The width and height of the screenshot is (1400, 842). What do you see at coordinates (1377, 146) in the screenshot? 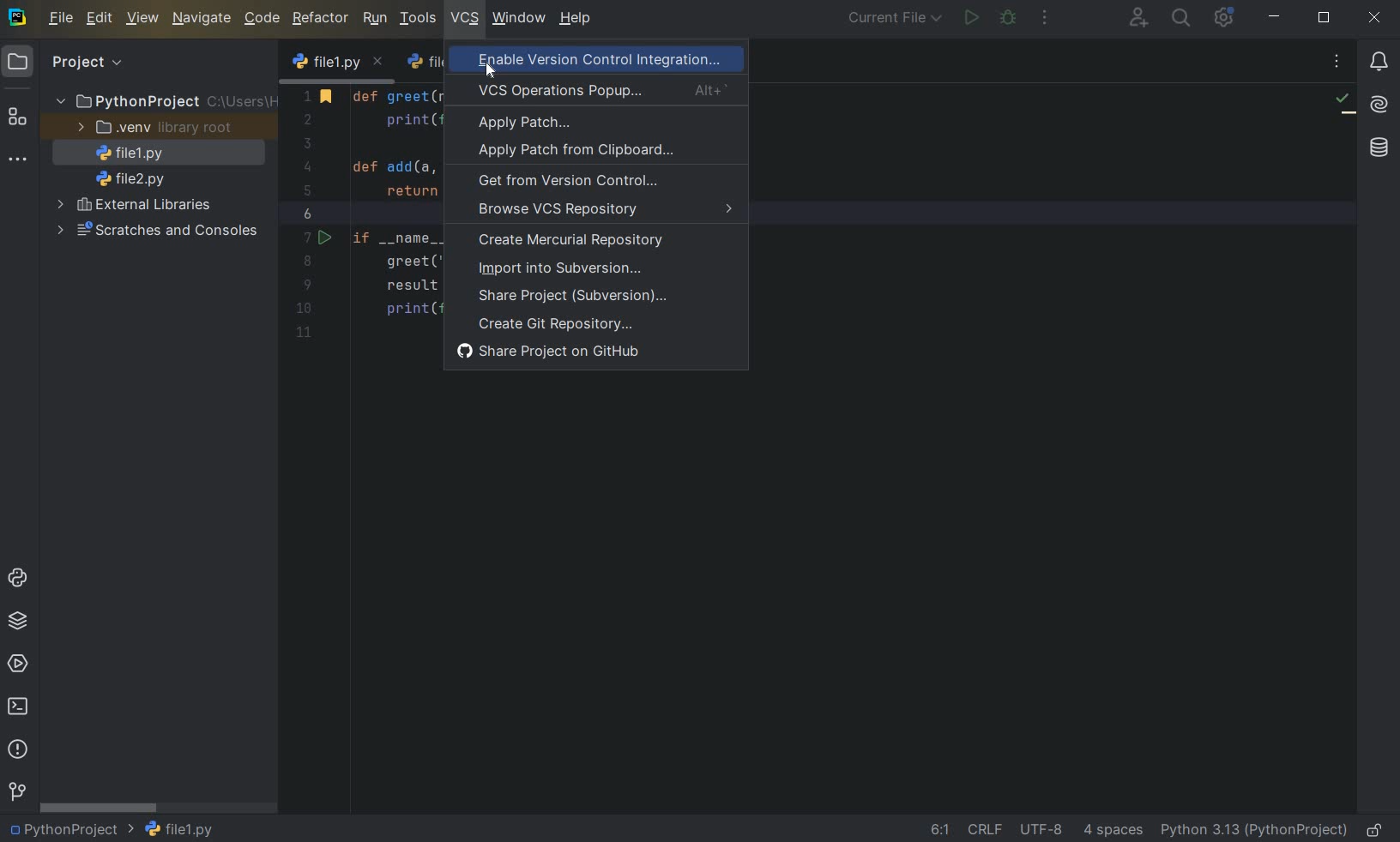
I see `database` at bounding box center [1377, 146].